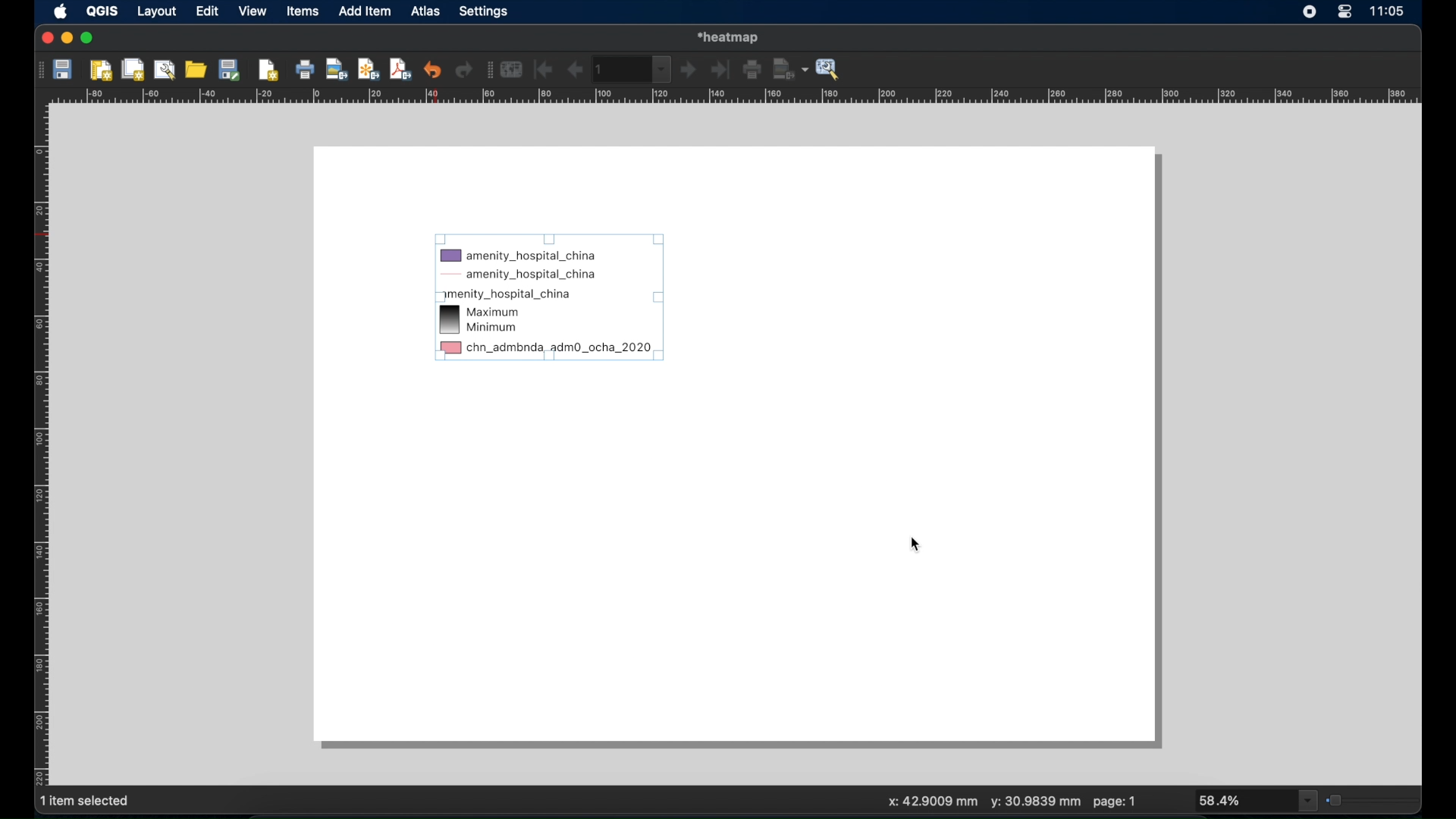  I want to click on edit, so click(207, 12).